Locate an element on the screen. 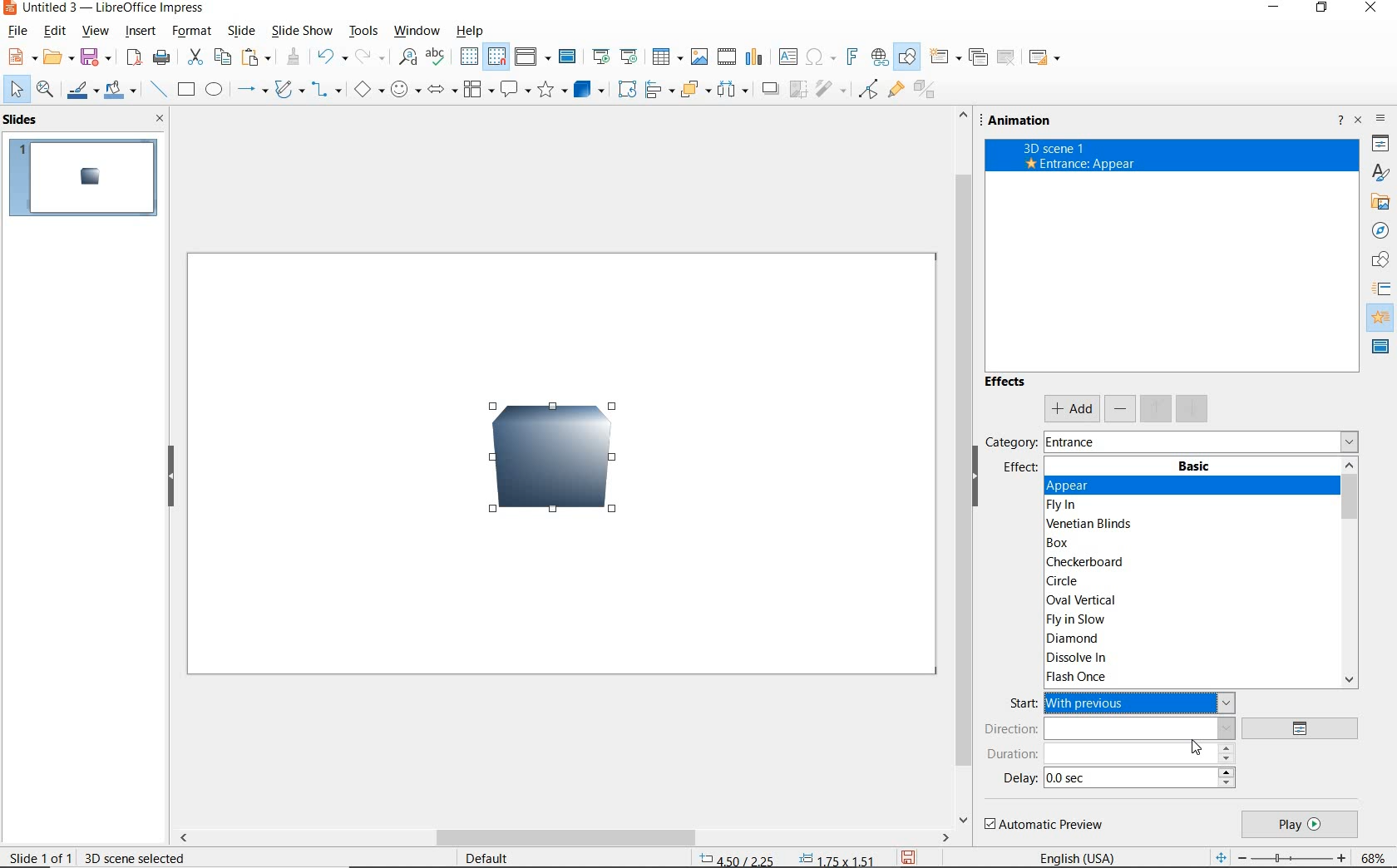 The image size is (1397, 868). duplicate slide is located at coordinates (978, 57).